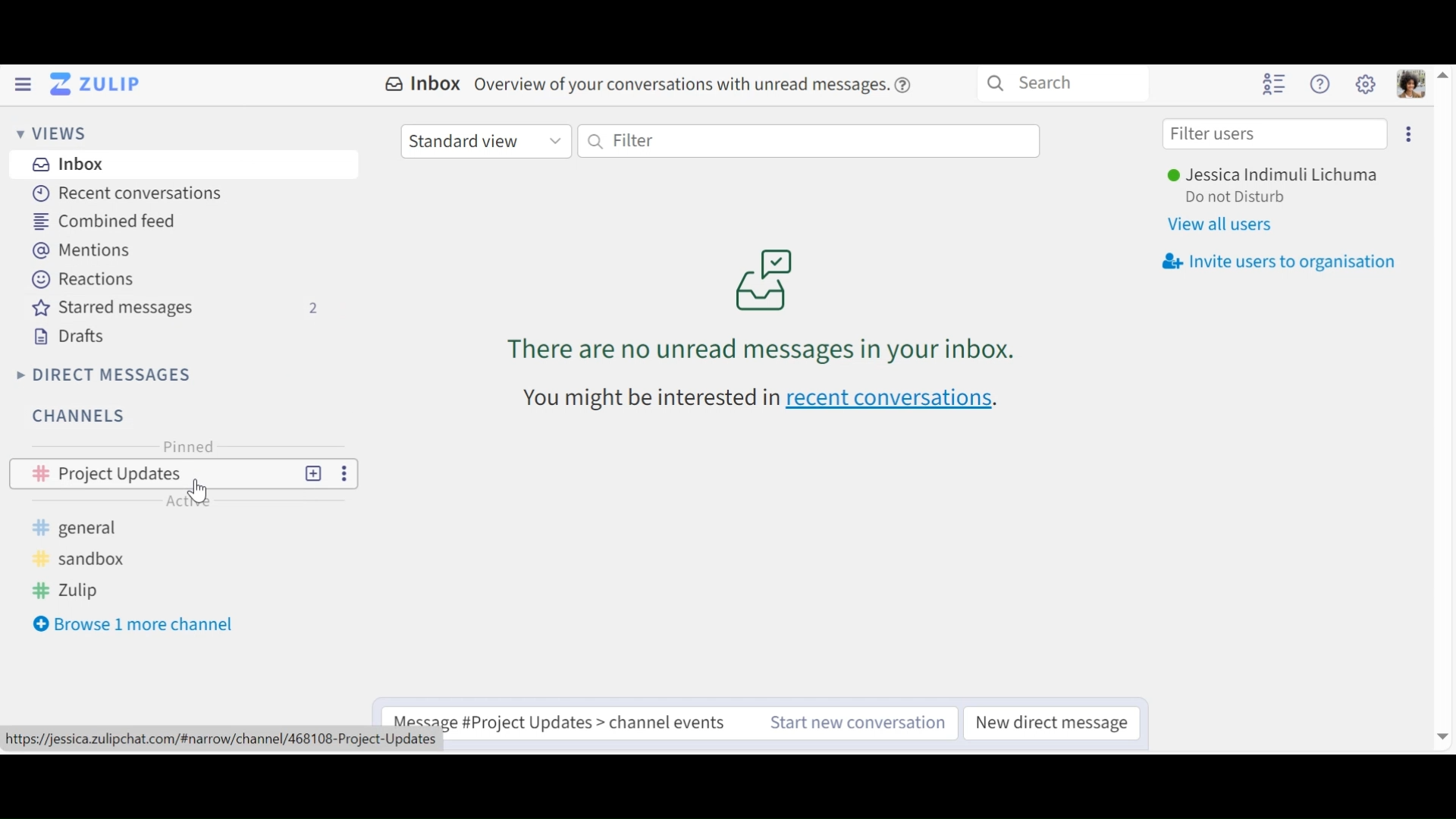 The width and height of the screenshot is (1456, 819). Describe the element at coordinates (648, 85) in the screenshot. I see `Inbox ` at that location.